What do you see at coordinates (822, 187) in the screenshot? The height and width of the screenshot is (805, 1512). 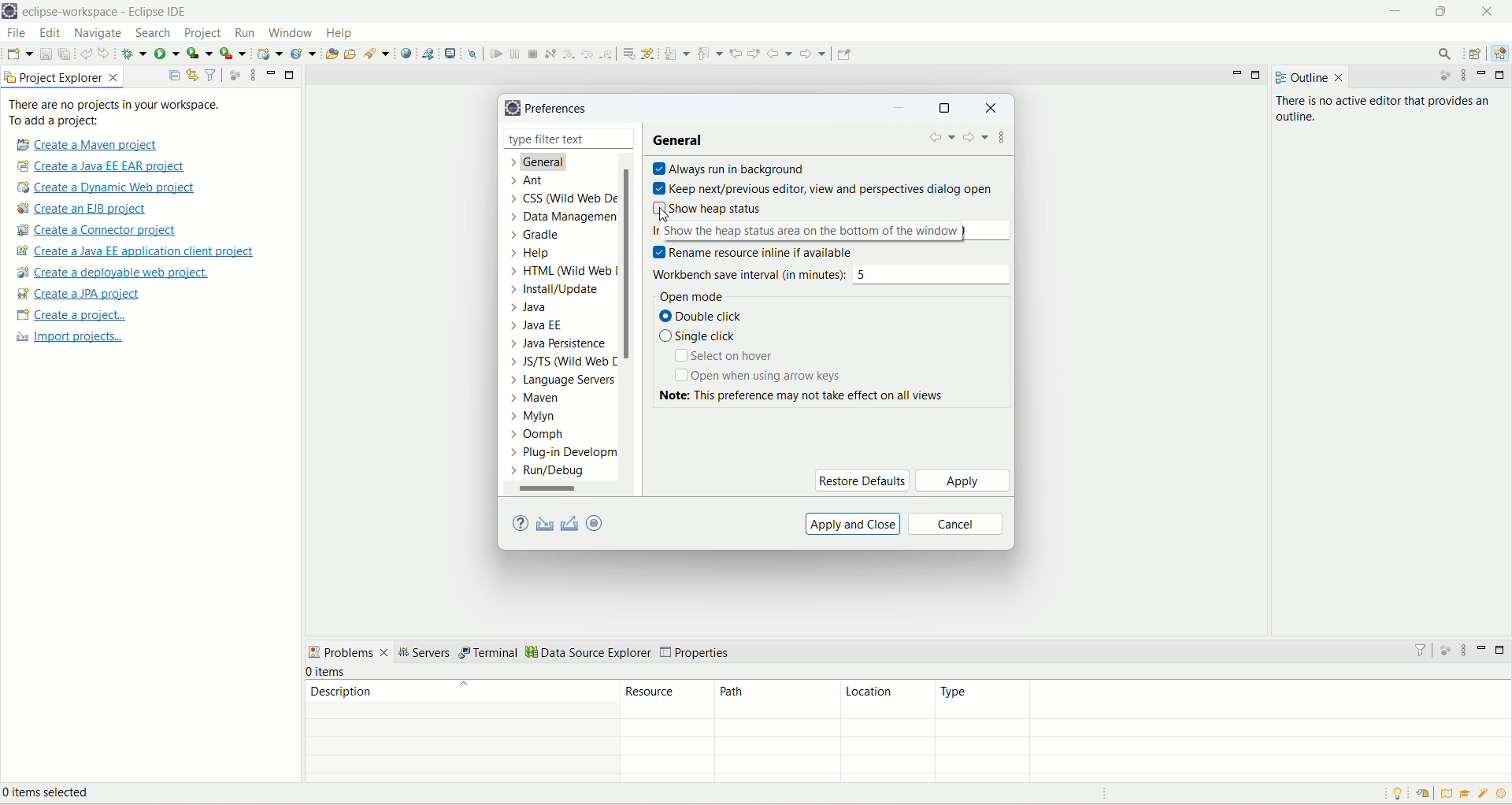 I see `keep next/previous editor, view and perspectives dialogue open` at bounding box center [822, 187].